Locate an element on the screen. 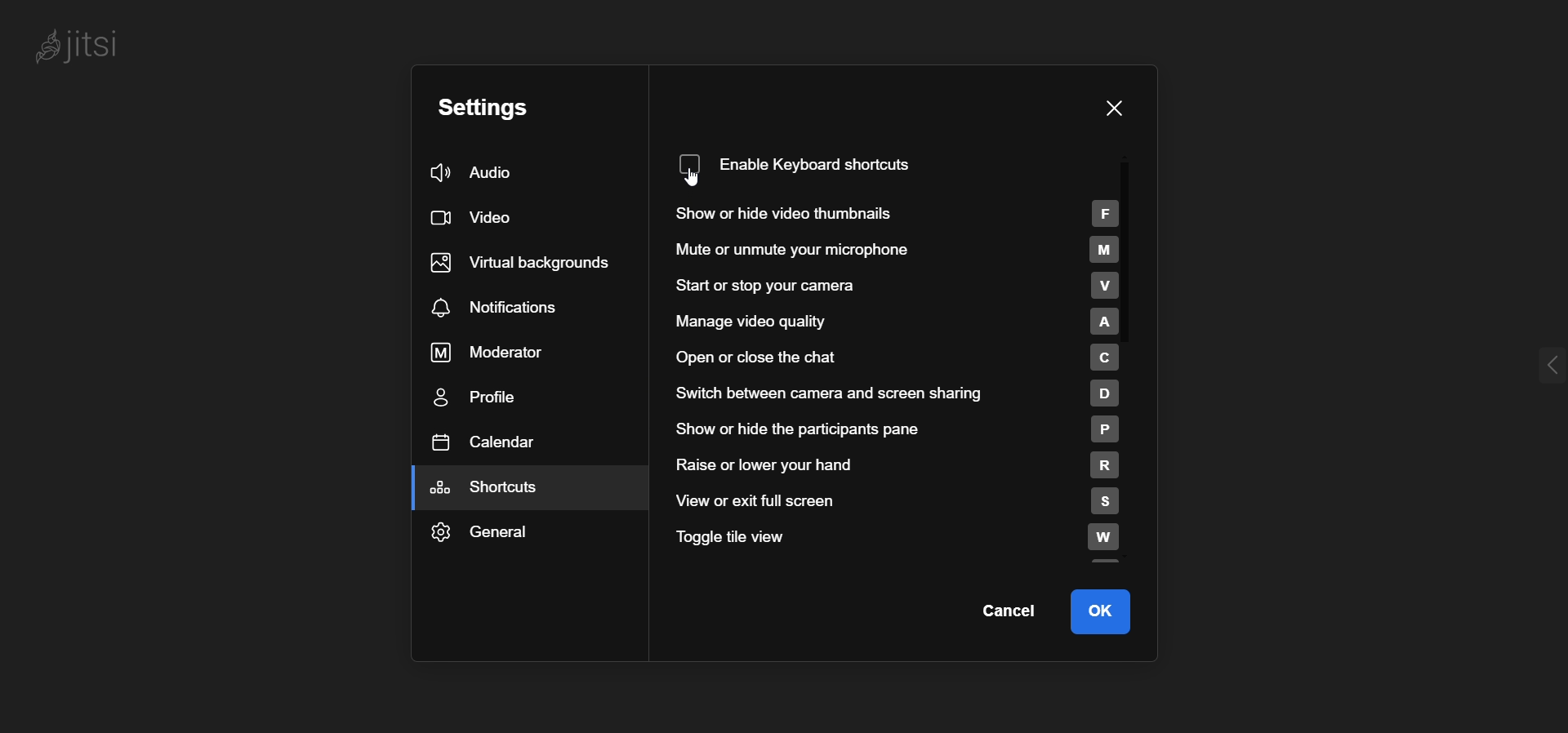 This screenshot has height=733, width=1568. start or stop camera is located at coordinates (915, 286).